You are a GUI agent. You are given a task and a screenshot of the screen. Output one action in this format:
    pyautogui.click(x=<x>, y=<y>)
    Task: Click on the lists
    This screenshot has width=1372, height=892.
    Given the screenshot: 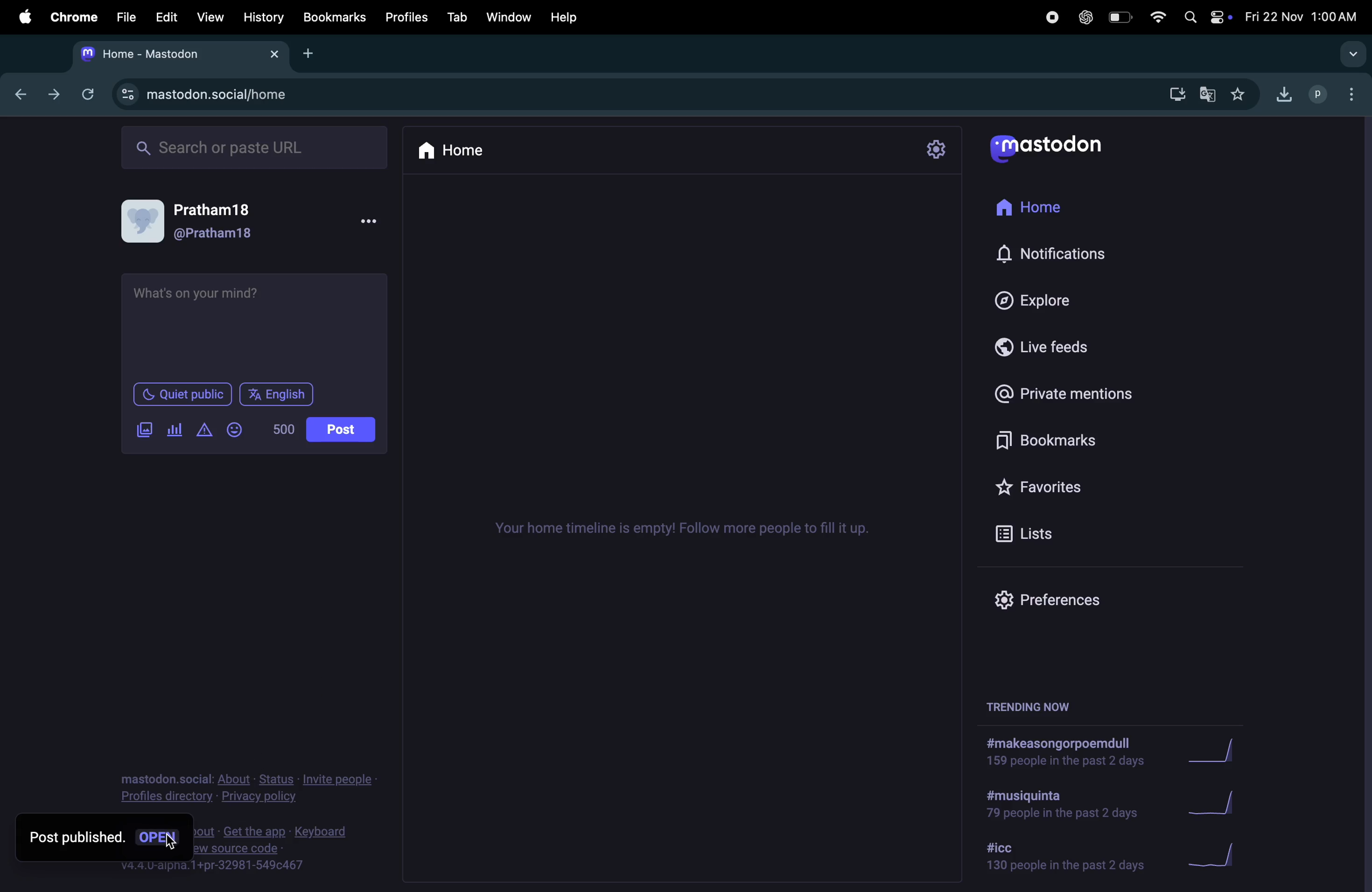 What is the action you would take?
    pyautogui.click(x=1081, y=537)
    